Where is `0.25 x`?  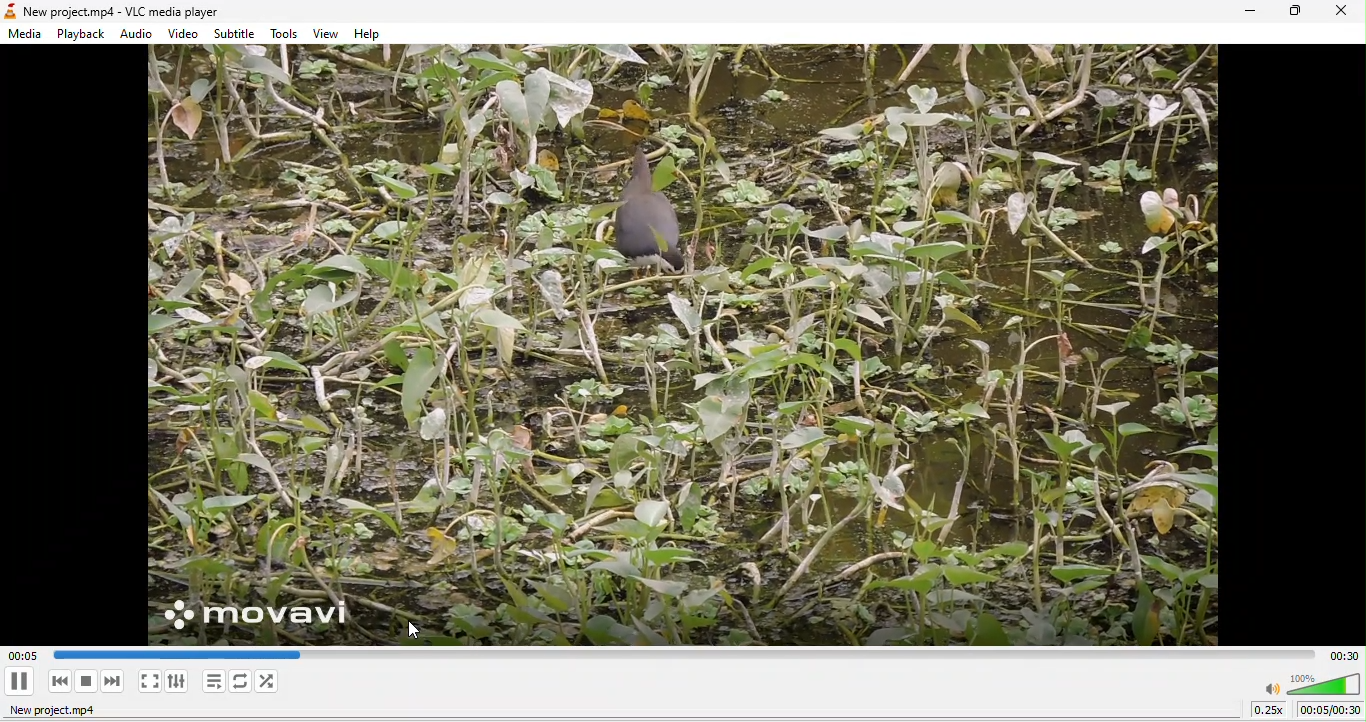
0.25 x is located at coordinates (1268, 712).